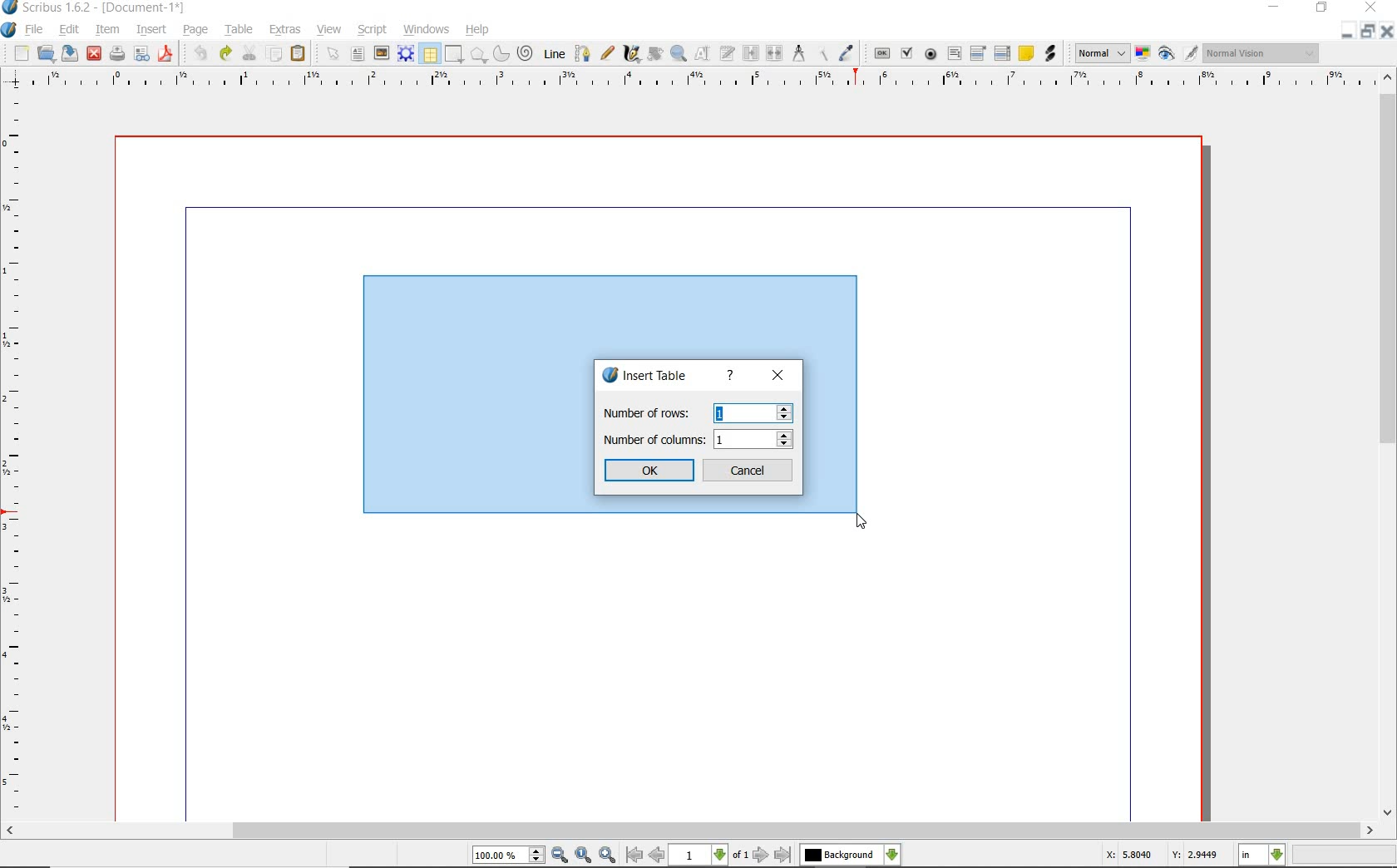 The width and height of the screenshot is (1397, 868). Describe the element at coordinates (555, 52) in the screenshot. I see `line` at that location.